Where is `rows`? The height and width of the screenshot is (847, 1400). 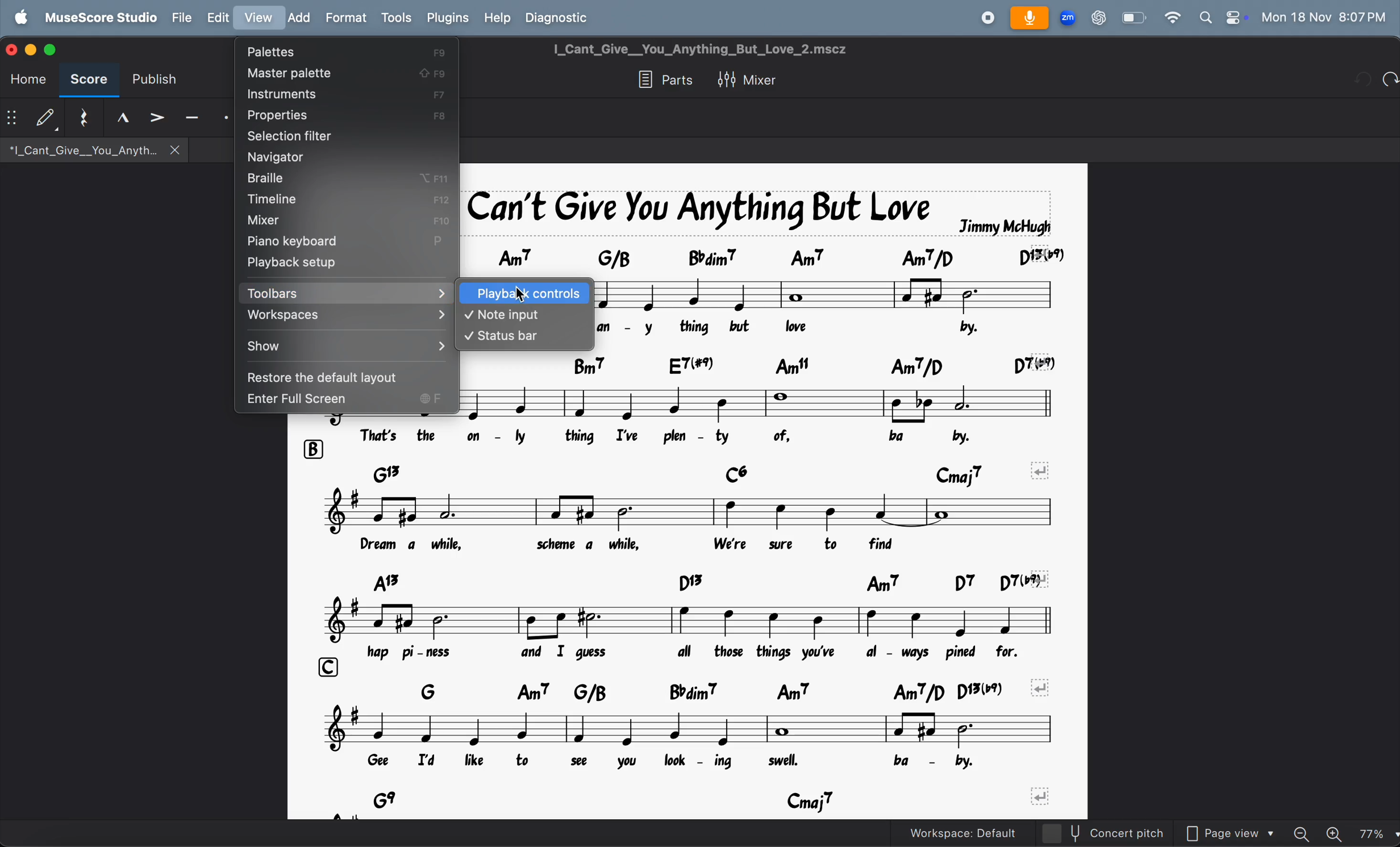 rows is located at coordinates (325, 666).